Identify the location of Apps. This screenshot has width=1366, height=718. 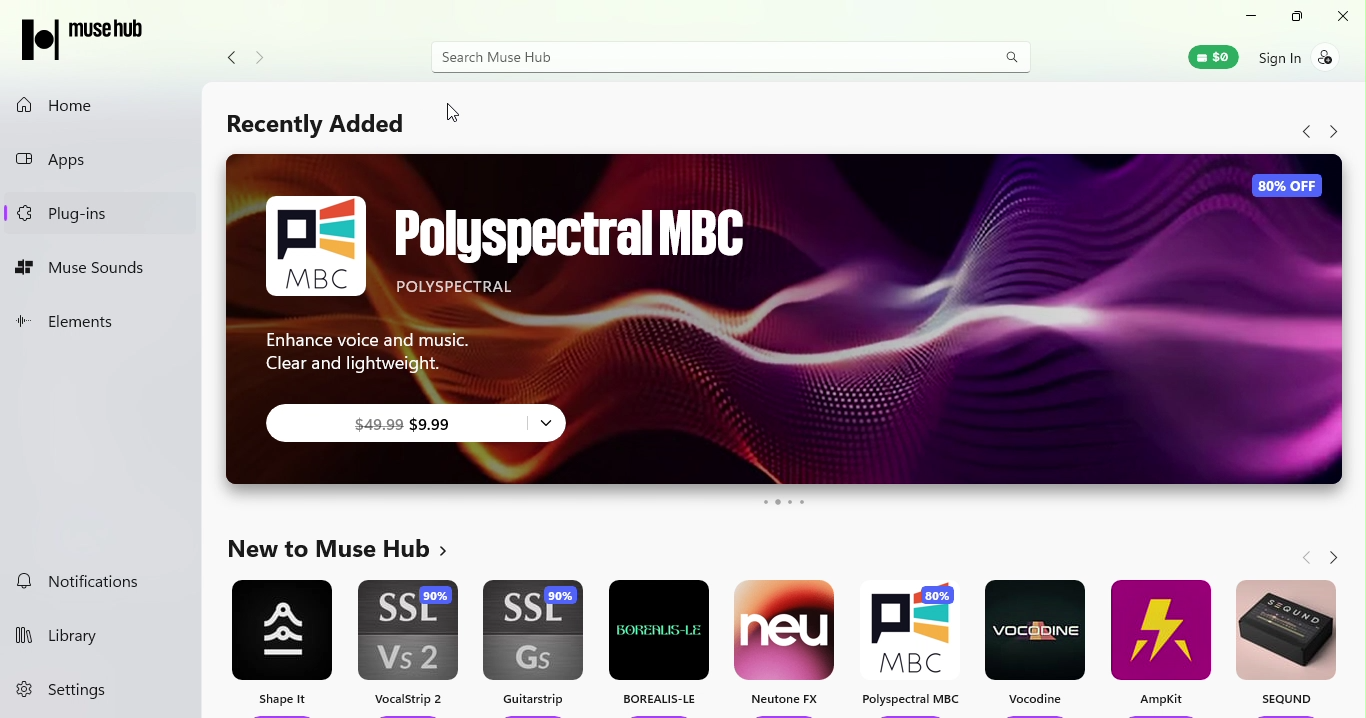
(97, 163).